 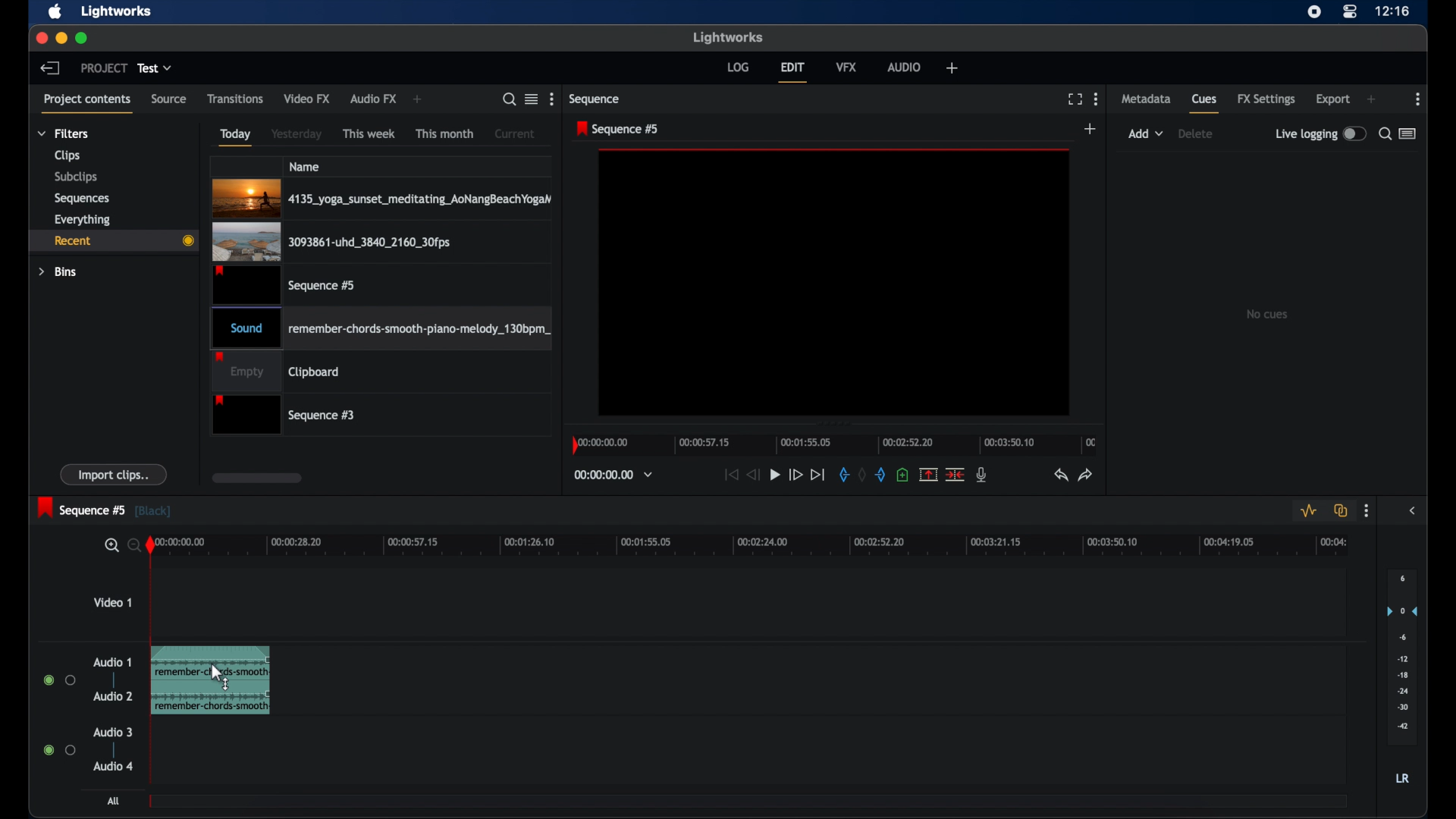 What do you see at coordinates (276, 372) in the screenshot?
I see `clipboard` at bounding box center [276, 372].